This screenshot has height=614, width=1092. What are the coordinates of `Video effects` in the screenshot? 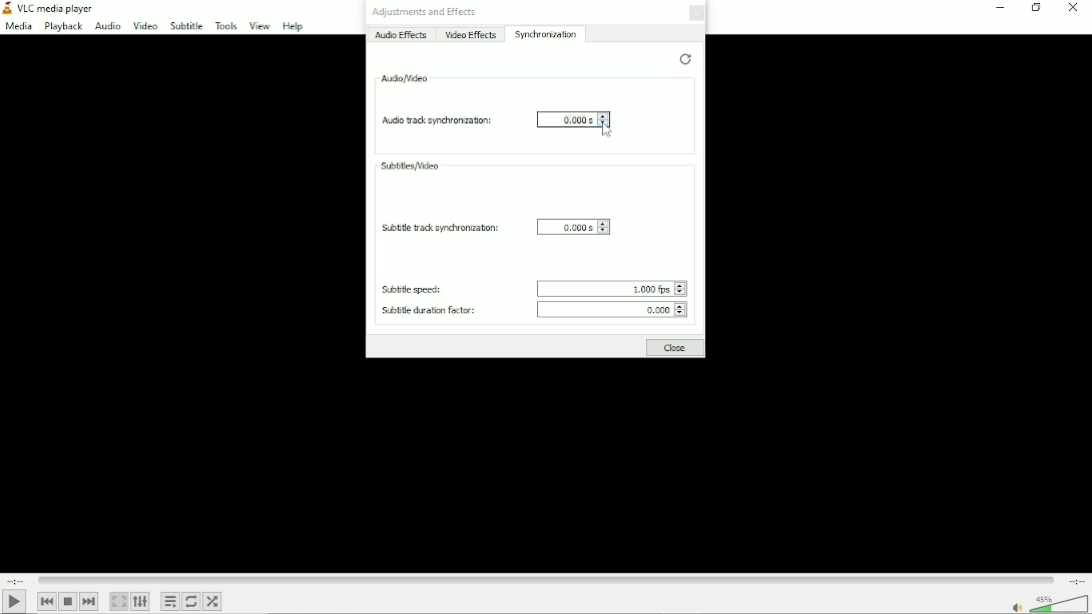 It's located at (471, 35).